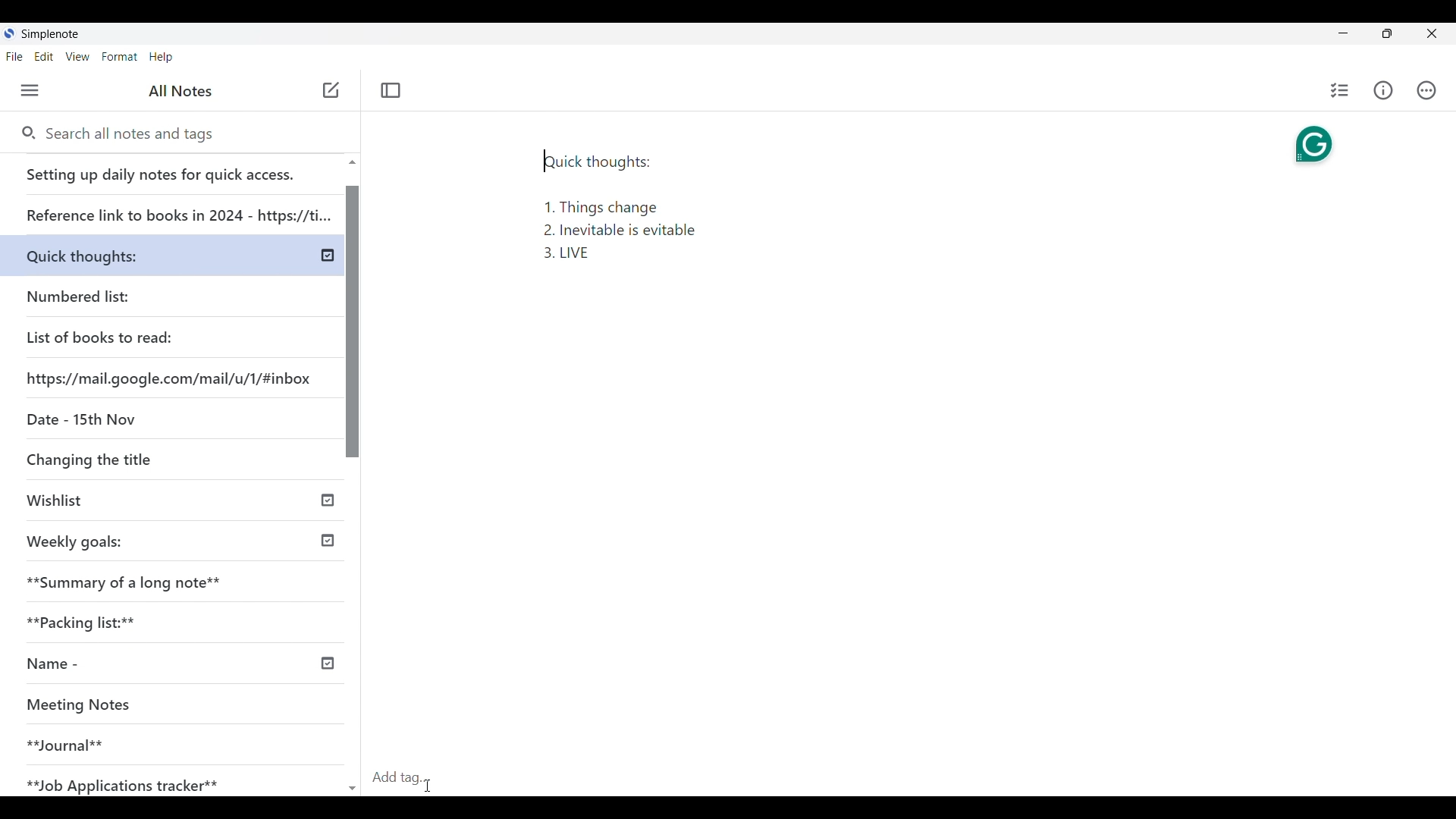 The width and height of the screenshot is (1456, 819). Describe the element at coordinates (151, 739) in the screenshot. I see `Journal` at that location.